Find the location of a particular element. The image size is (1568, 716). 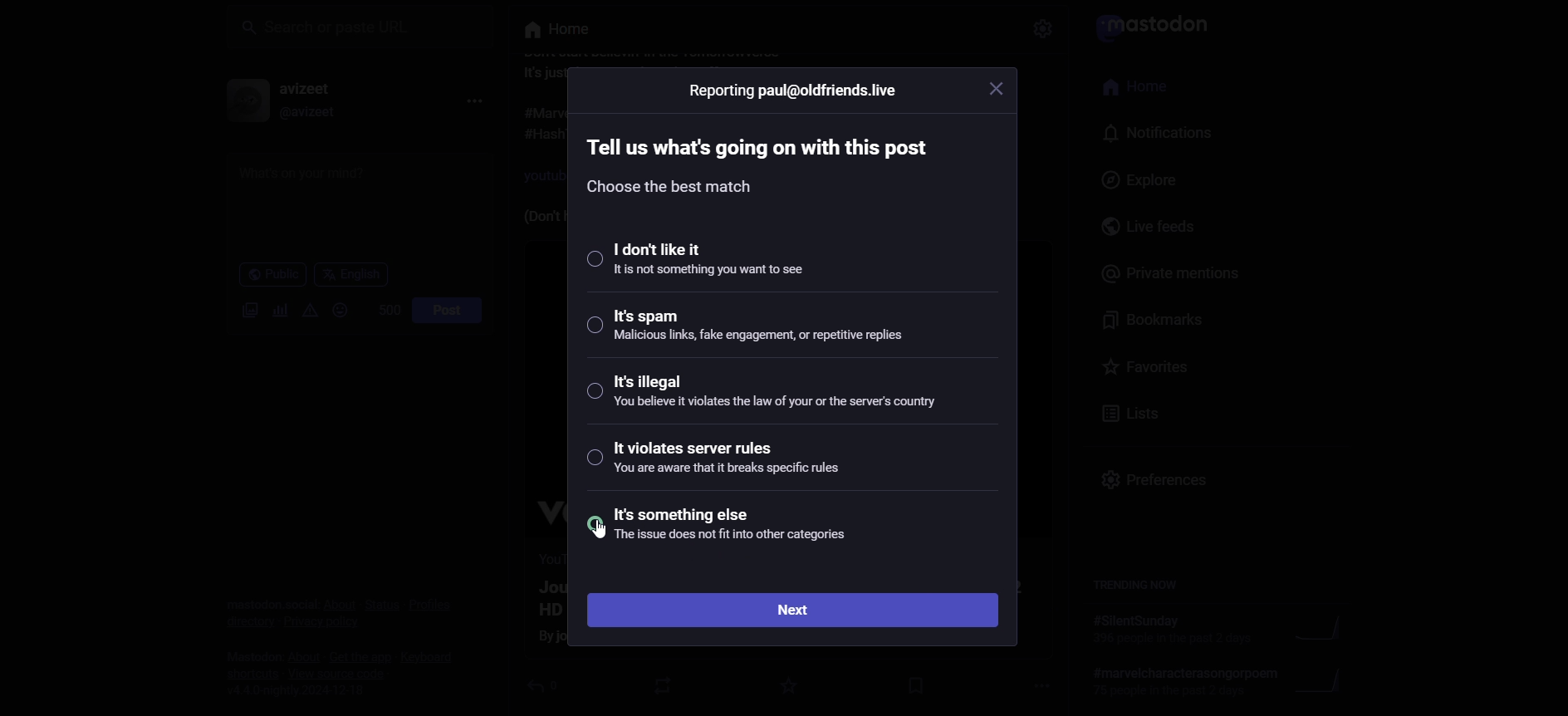

 is located at coordinates (548, 32).